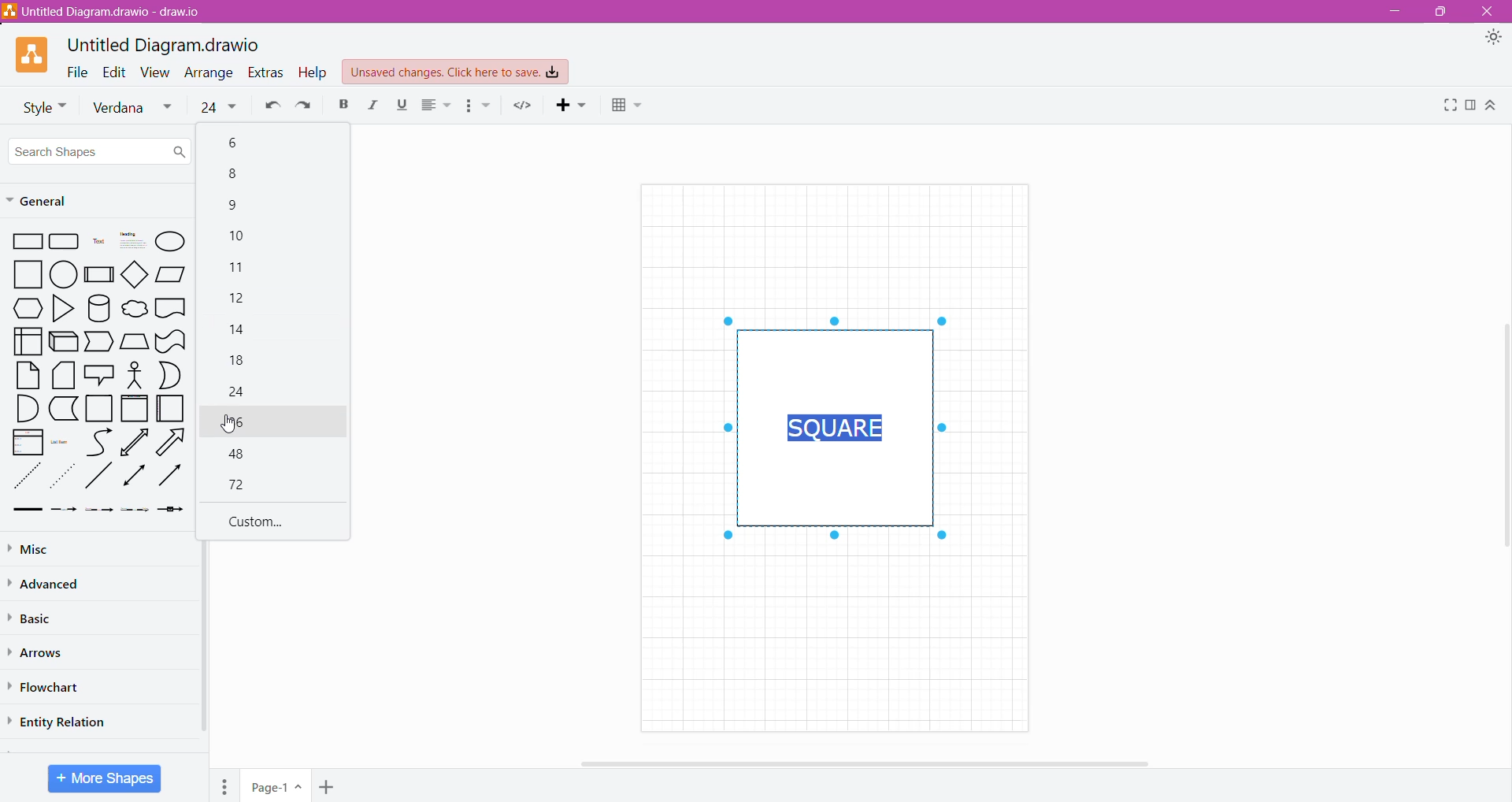 This screenshot has width=1512, height=802. Describe the element at coordinates (63, 376) in the screenshot. I see `Stacked Papers` at that location.